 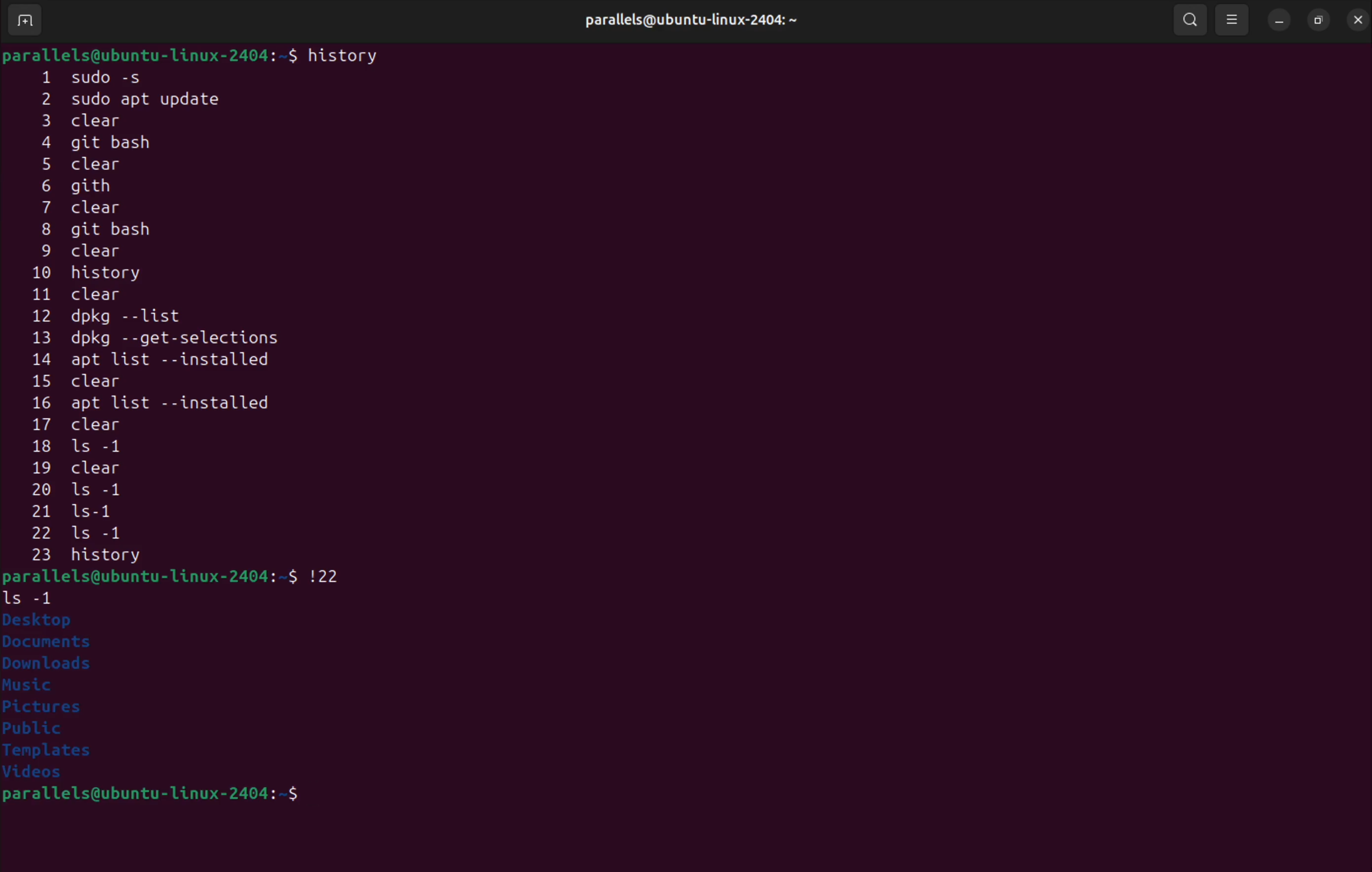 I want to click on 9 clear, so click(x=76, y=252).